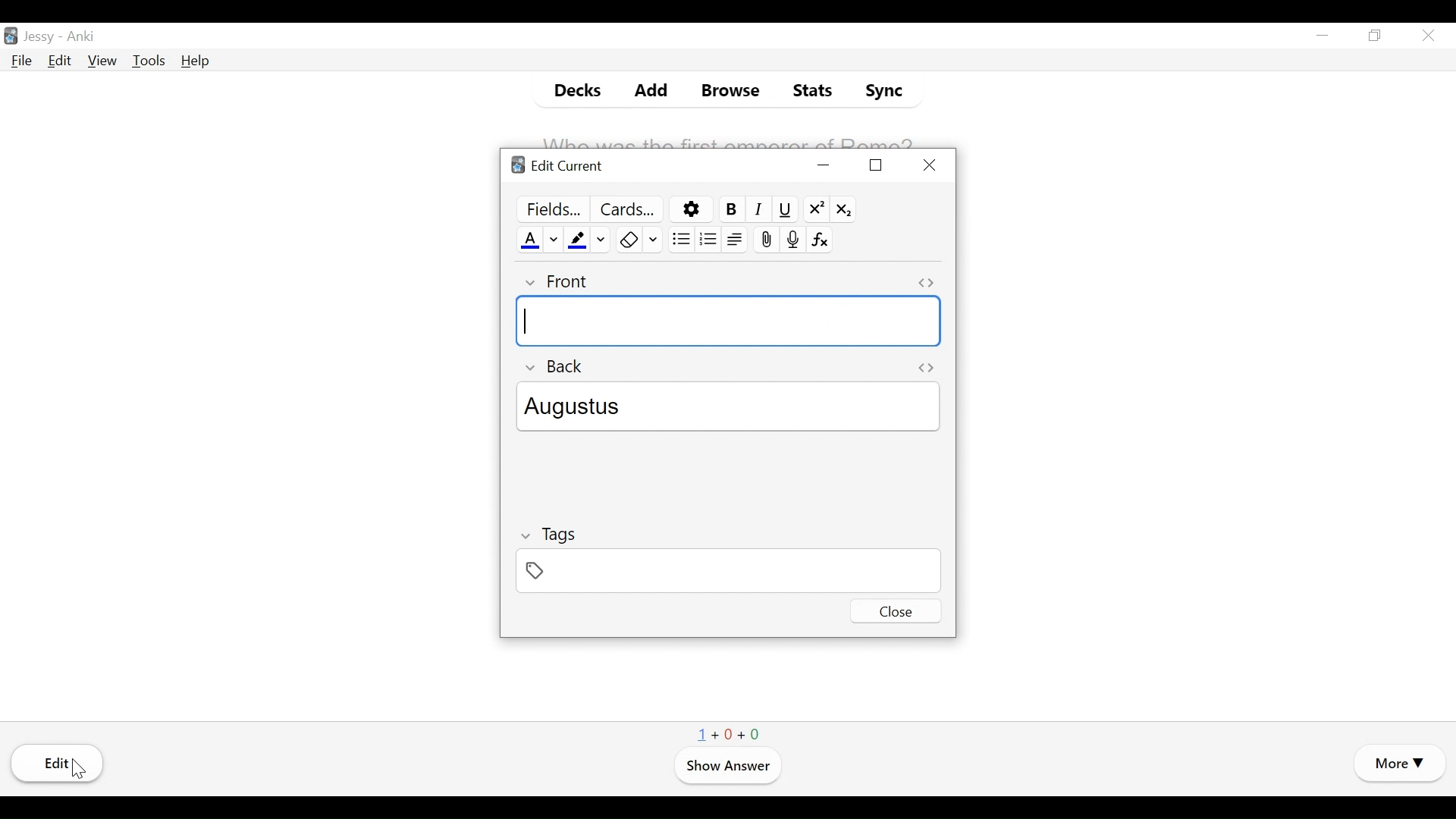 This screenshot has width=1456, height=819. What do you see at coordinates (196, 61) in the screenshot?
I see `Help` at bounding box center [196, 61].